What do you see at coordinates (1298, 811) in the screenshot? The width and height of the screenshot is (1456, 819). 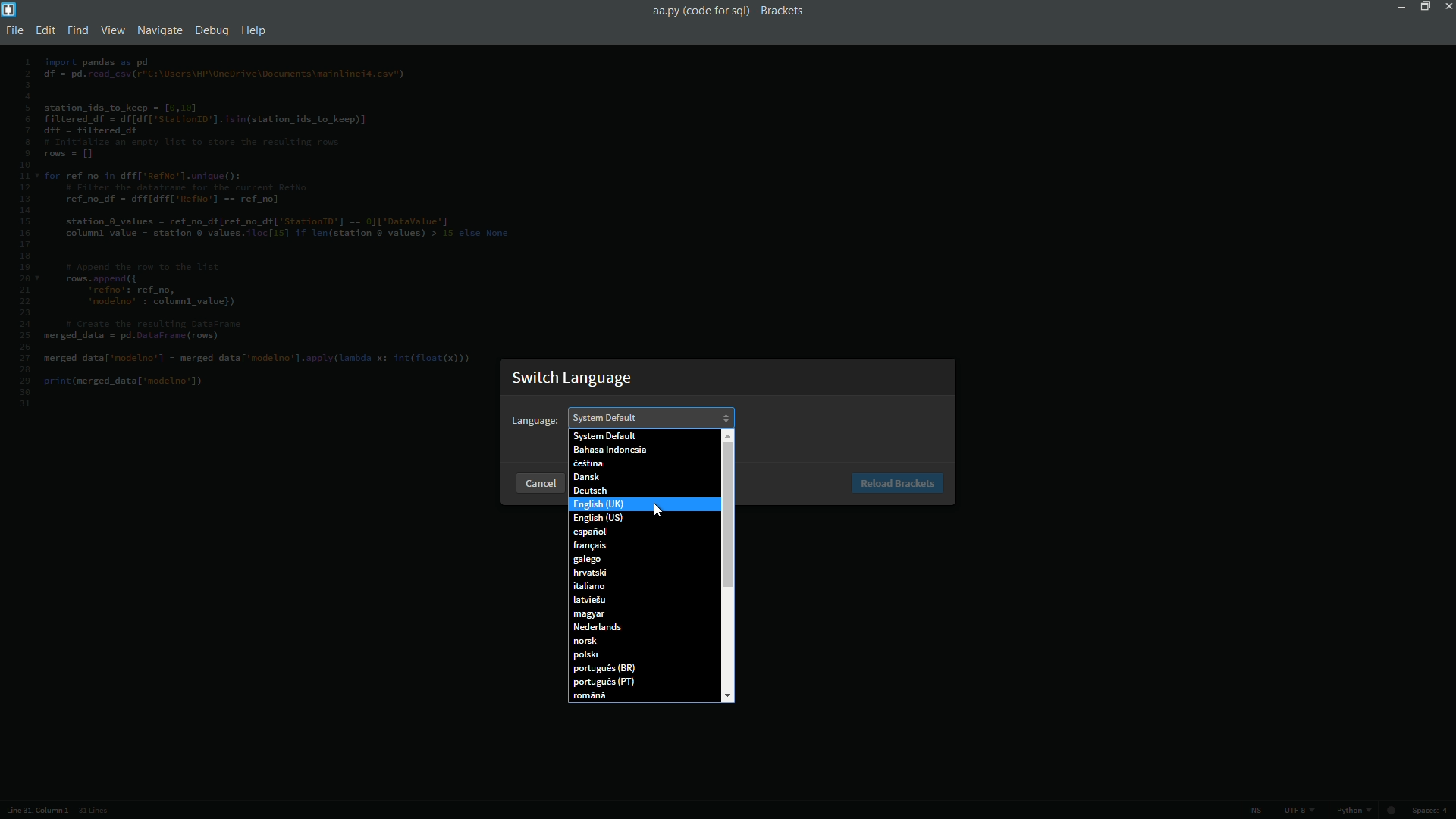 I see `file encoding` at bounding box center [1298, 811].